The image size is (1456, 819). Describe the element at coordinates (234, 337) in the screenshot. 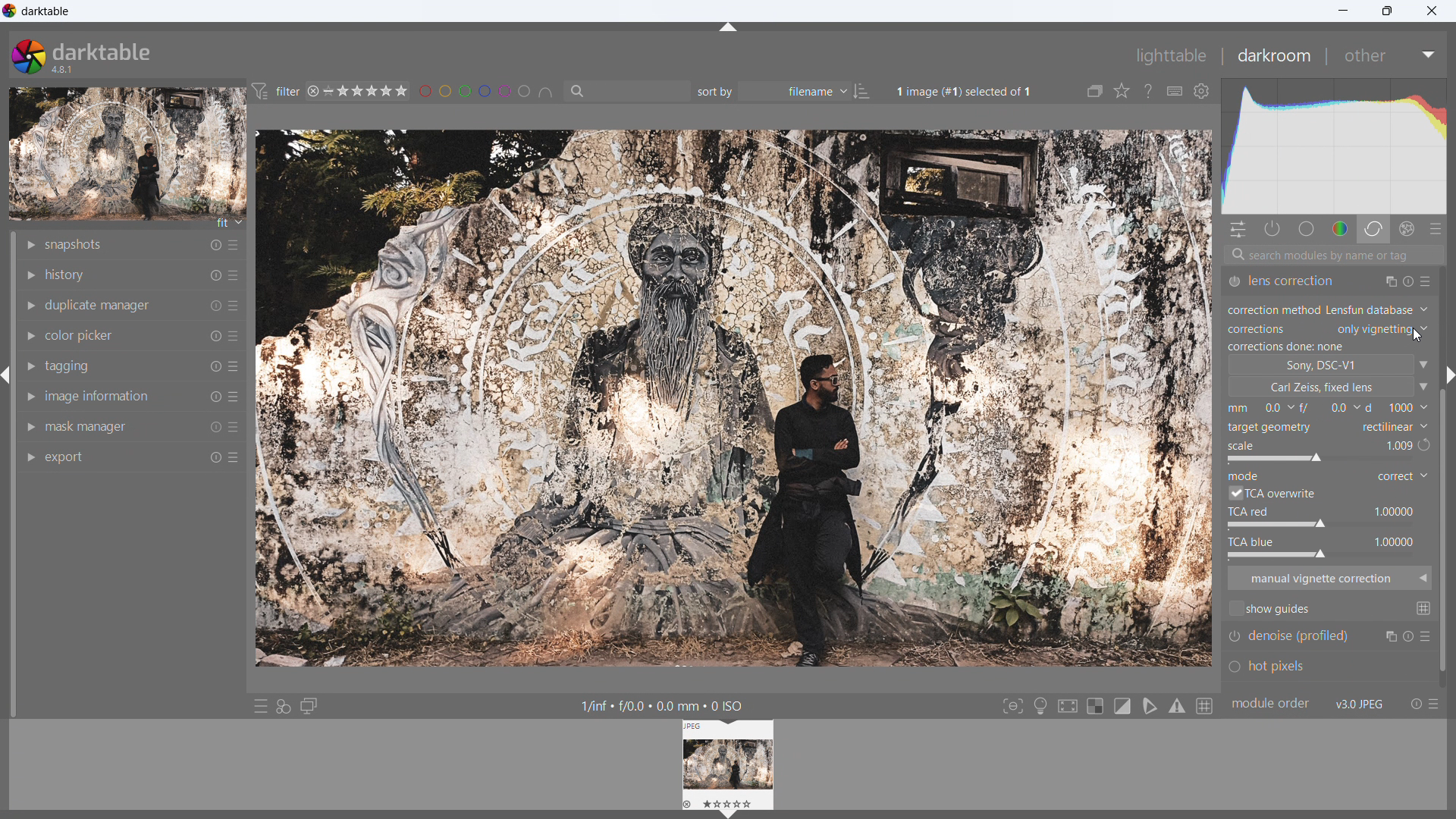

I see `more options` at that location.